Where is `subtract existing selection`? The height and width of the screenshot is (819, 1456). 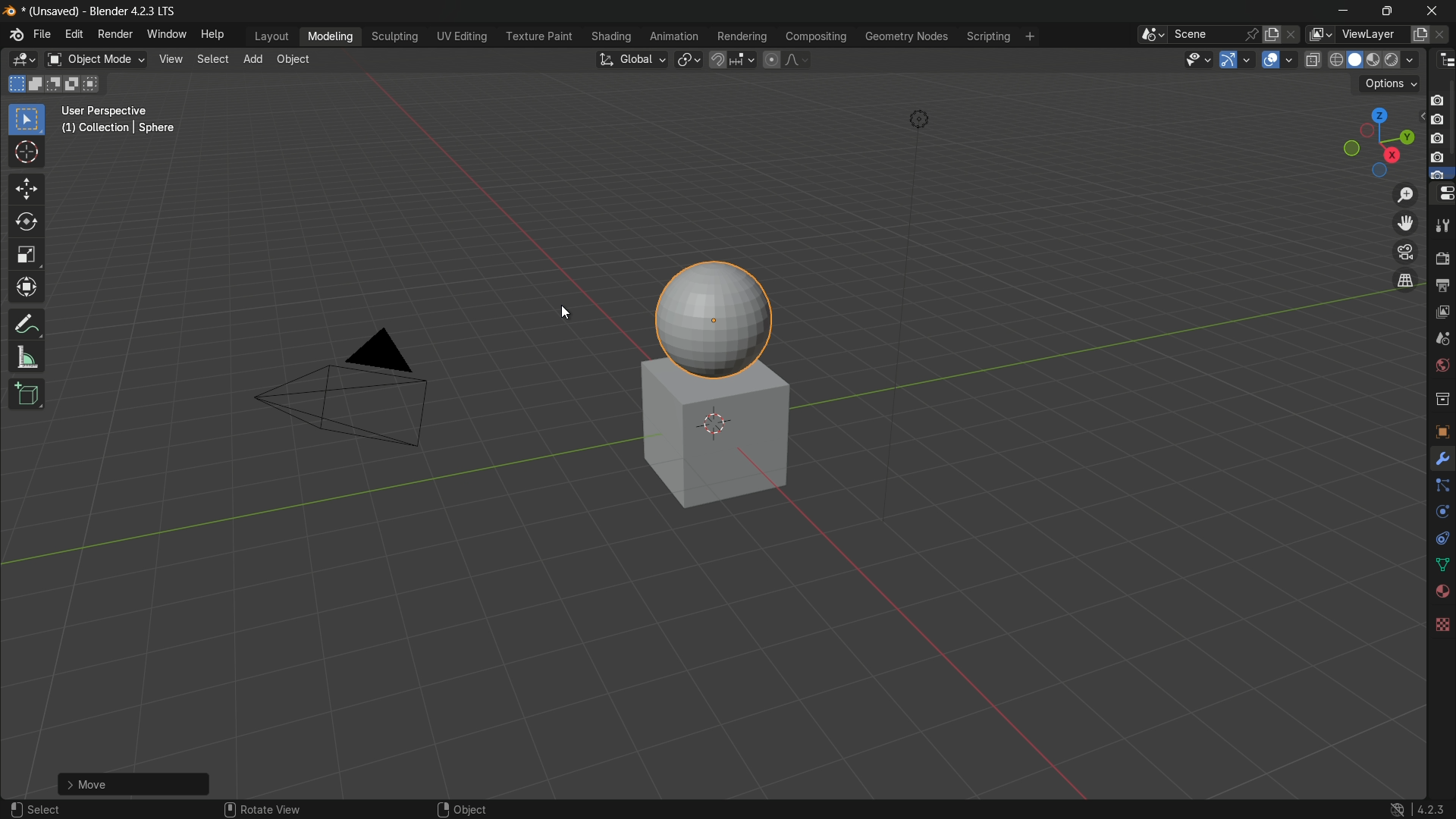 subtract existing selection is located at coordinates (55, 83).